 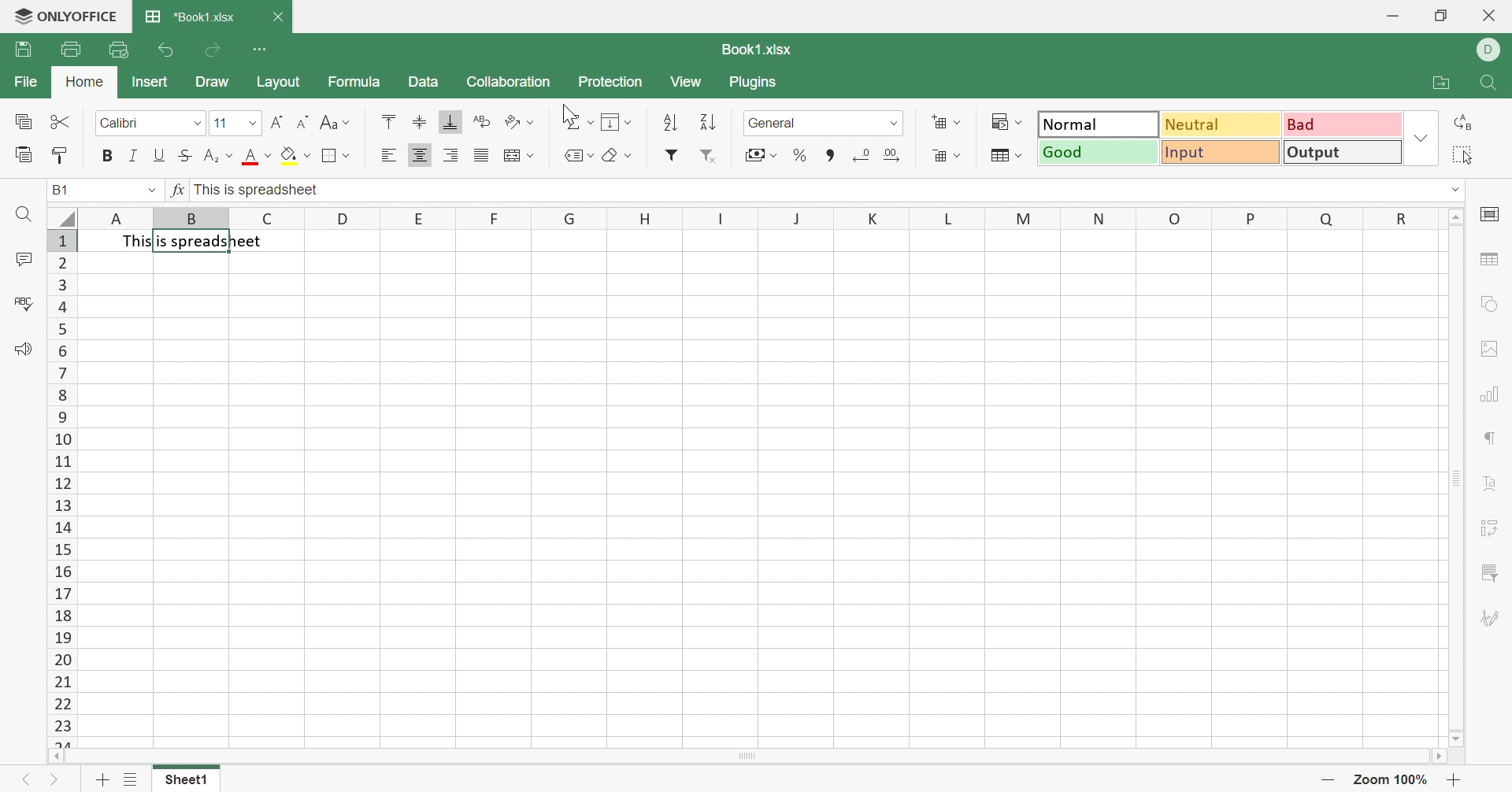 I want to click on Book1.xlsx, so click(x=754, y=49).